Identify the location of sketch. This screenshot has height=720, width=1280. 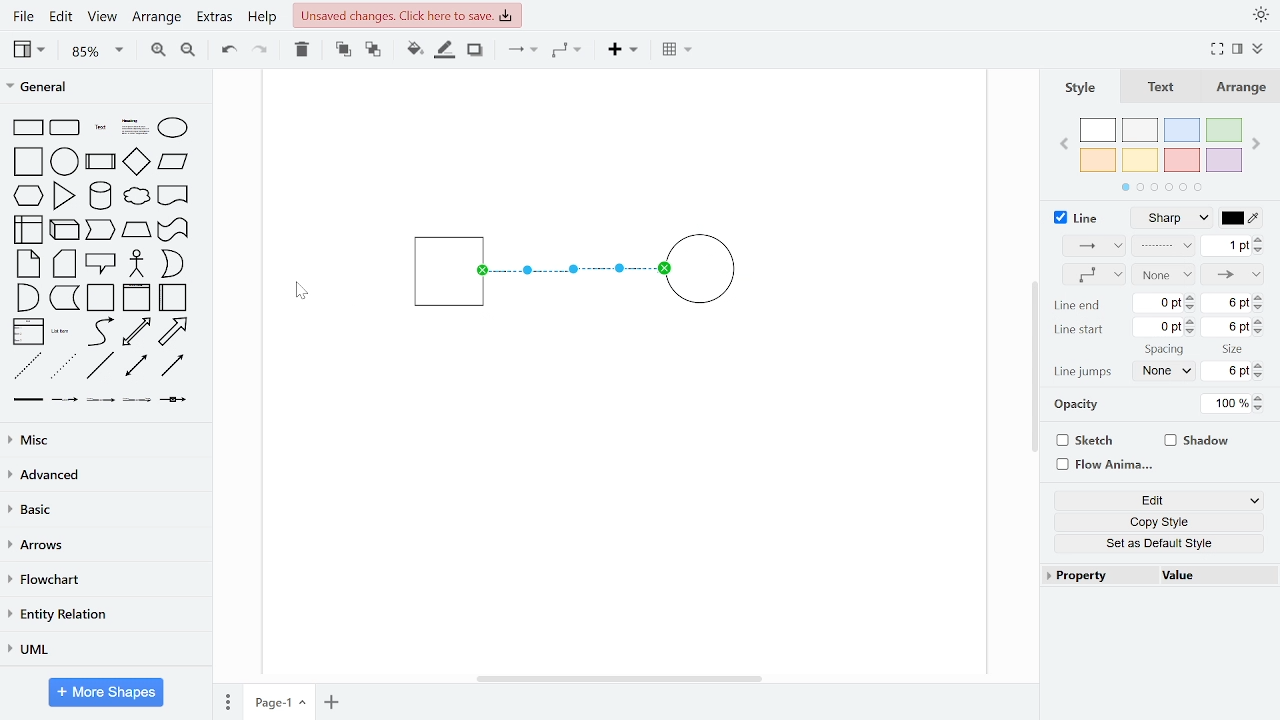
(1082, 441).